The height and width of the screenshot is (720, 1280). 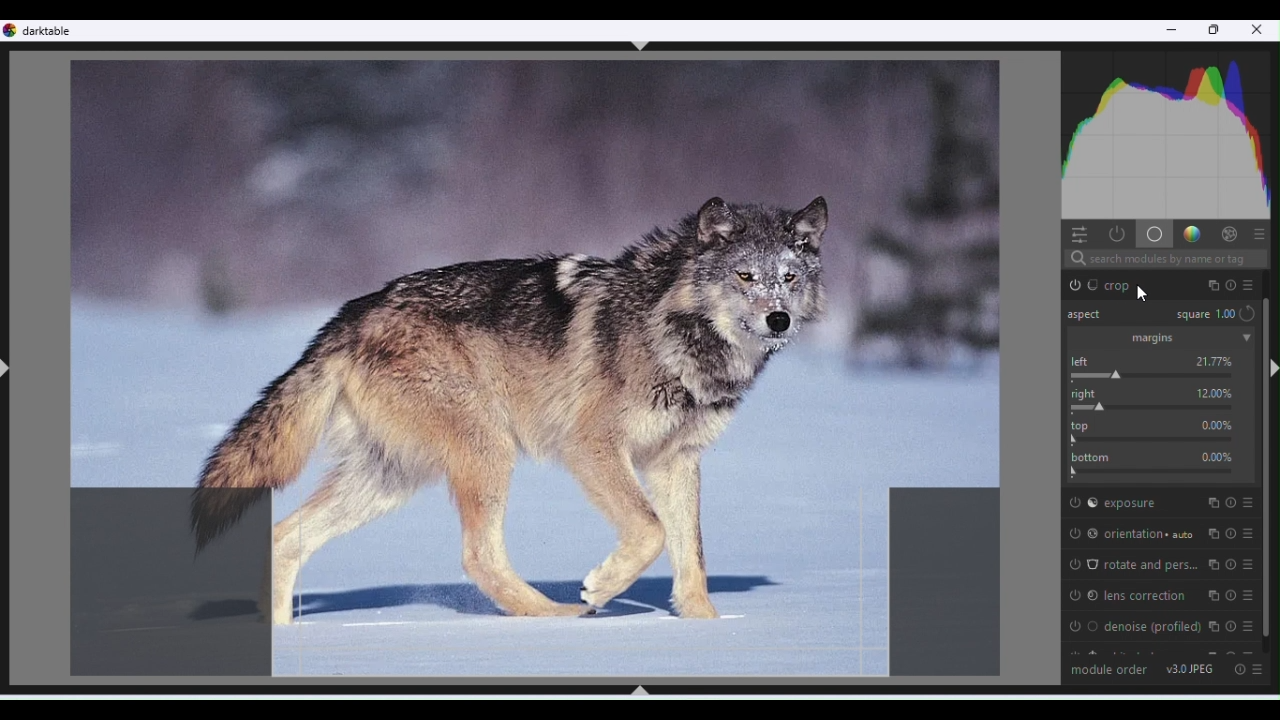 I want to click on logo, so click(x=11, y=30).